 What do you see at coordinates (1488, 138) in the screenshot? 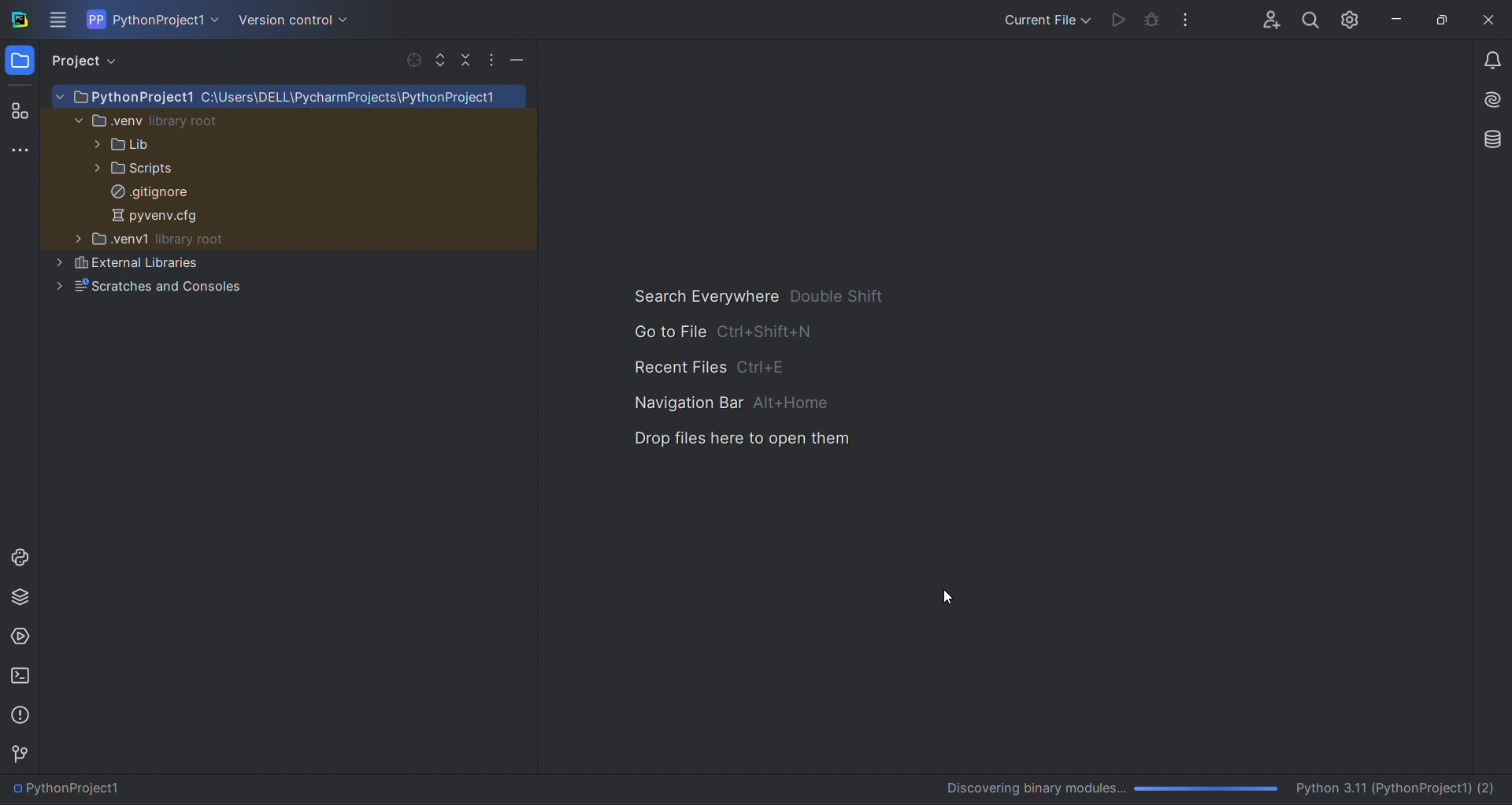
I see `database` at bounding box center [1488, 138].